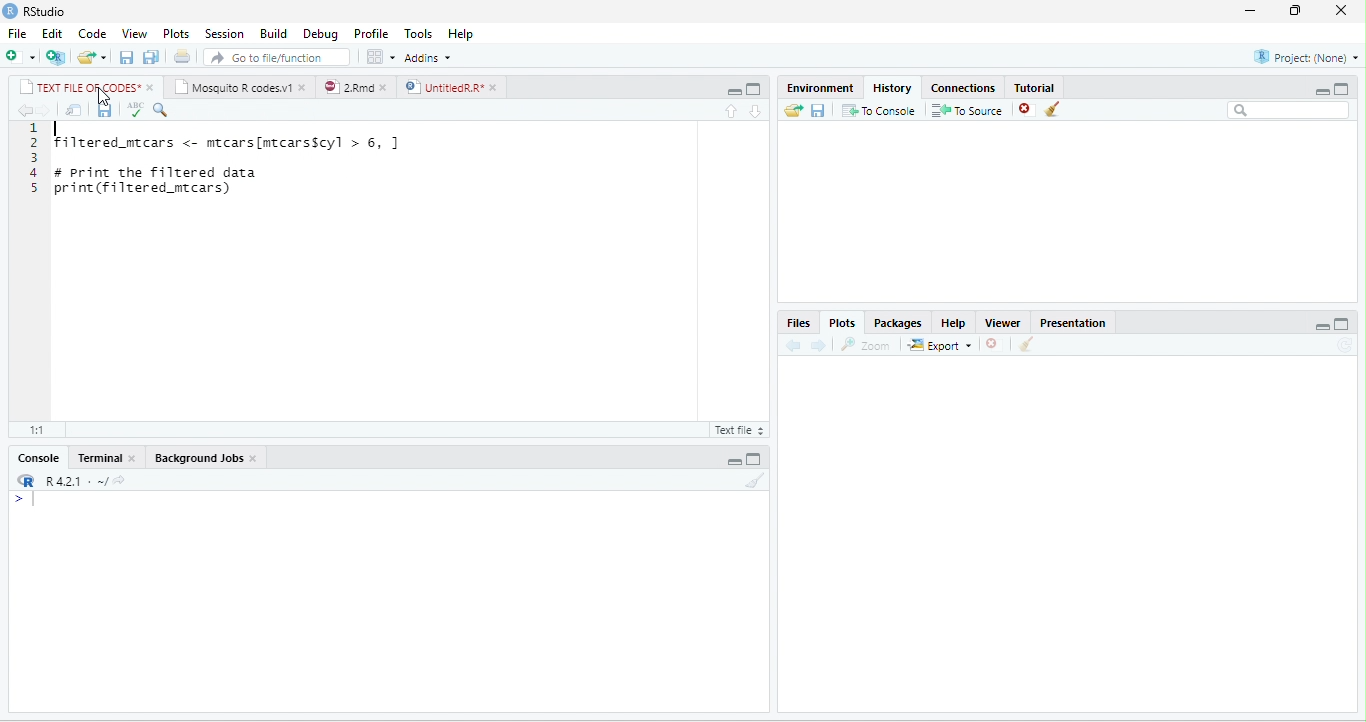 The image size is (1366, 722). I want to click on Plots, so click(843, 323).